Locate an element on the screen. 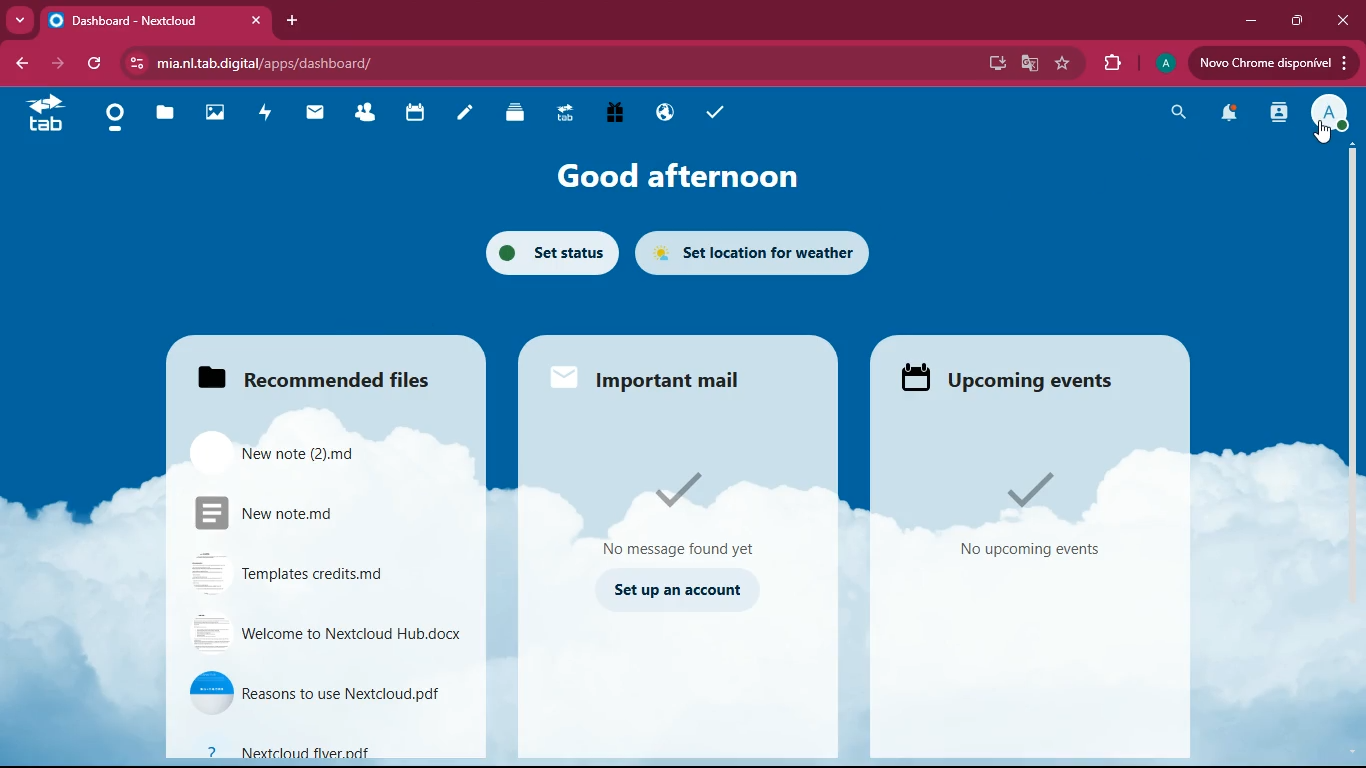  file is located at coordinates (315, 747).